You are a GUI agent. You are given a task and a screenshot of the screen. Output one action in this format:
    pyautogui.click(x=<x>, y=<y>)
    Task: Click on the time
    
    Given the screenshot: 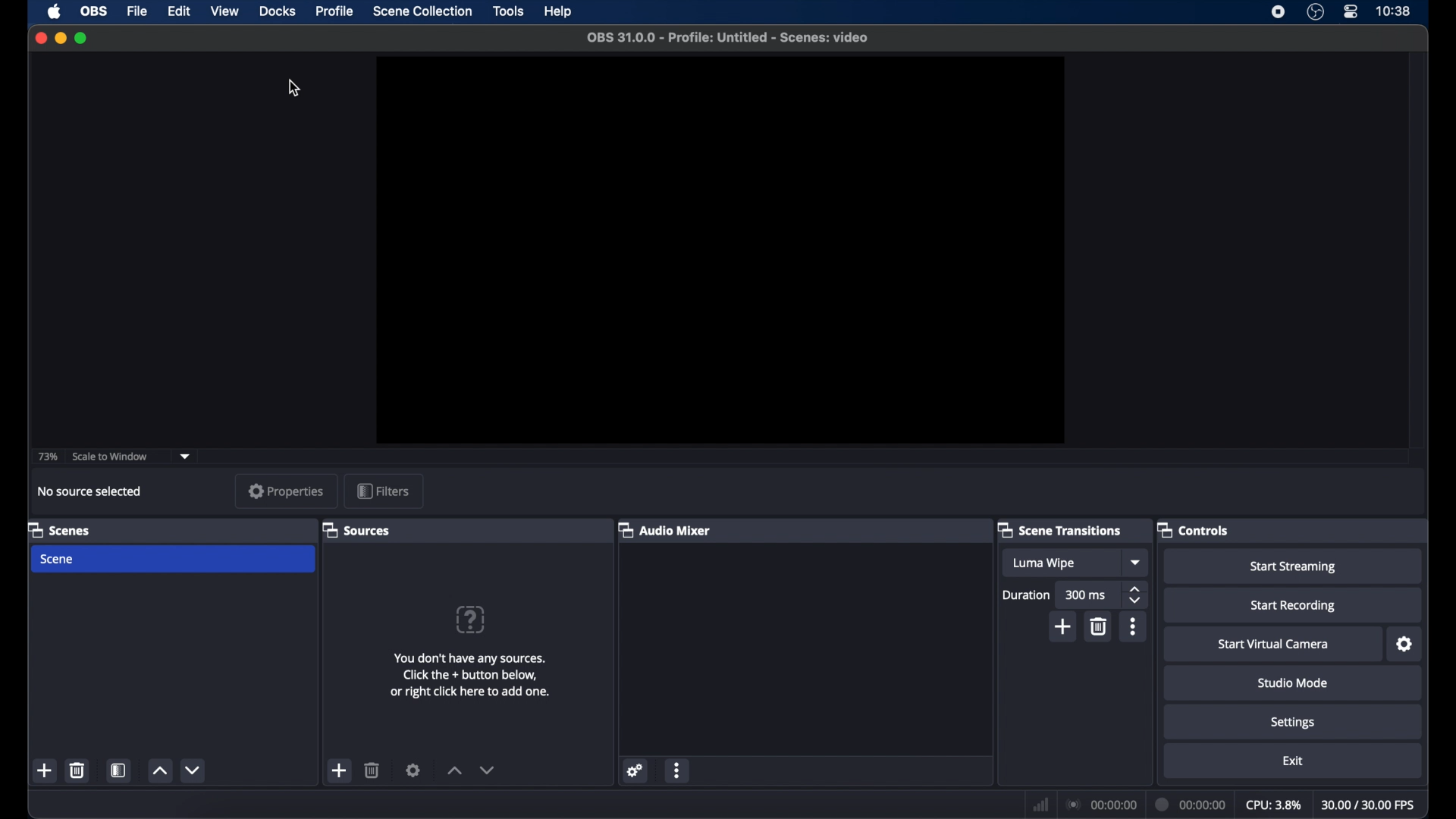 What is the action you would take?
    pyautogui.click(x=1394, y=10)
    